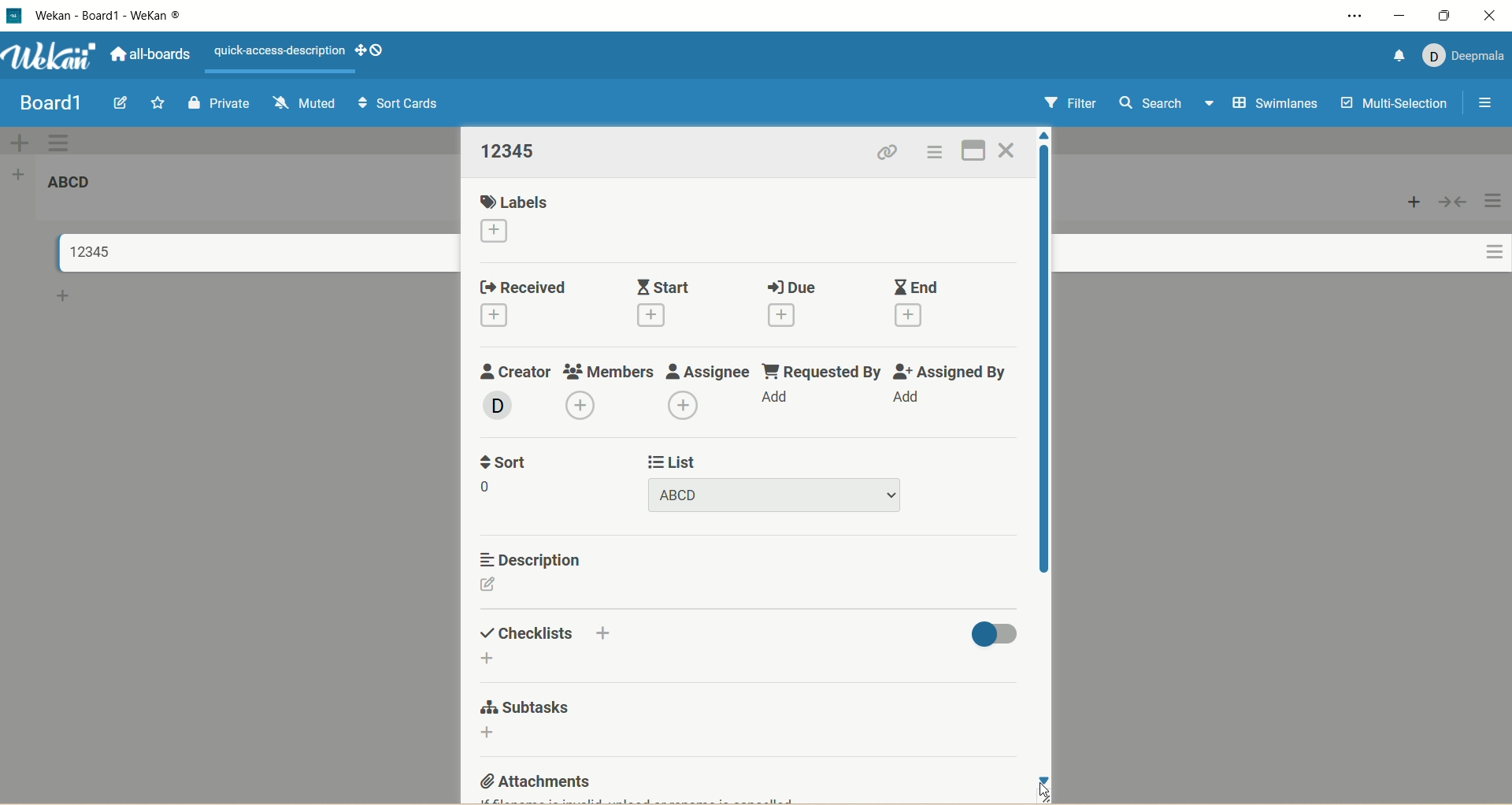  What do you see at coordinates (50, 103) in the screenshot?
I see `title` at bounding box center [50, 103].